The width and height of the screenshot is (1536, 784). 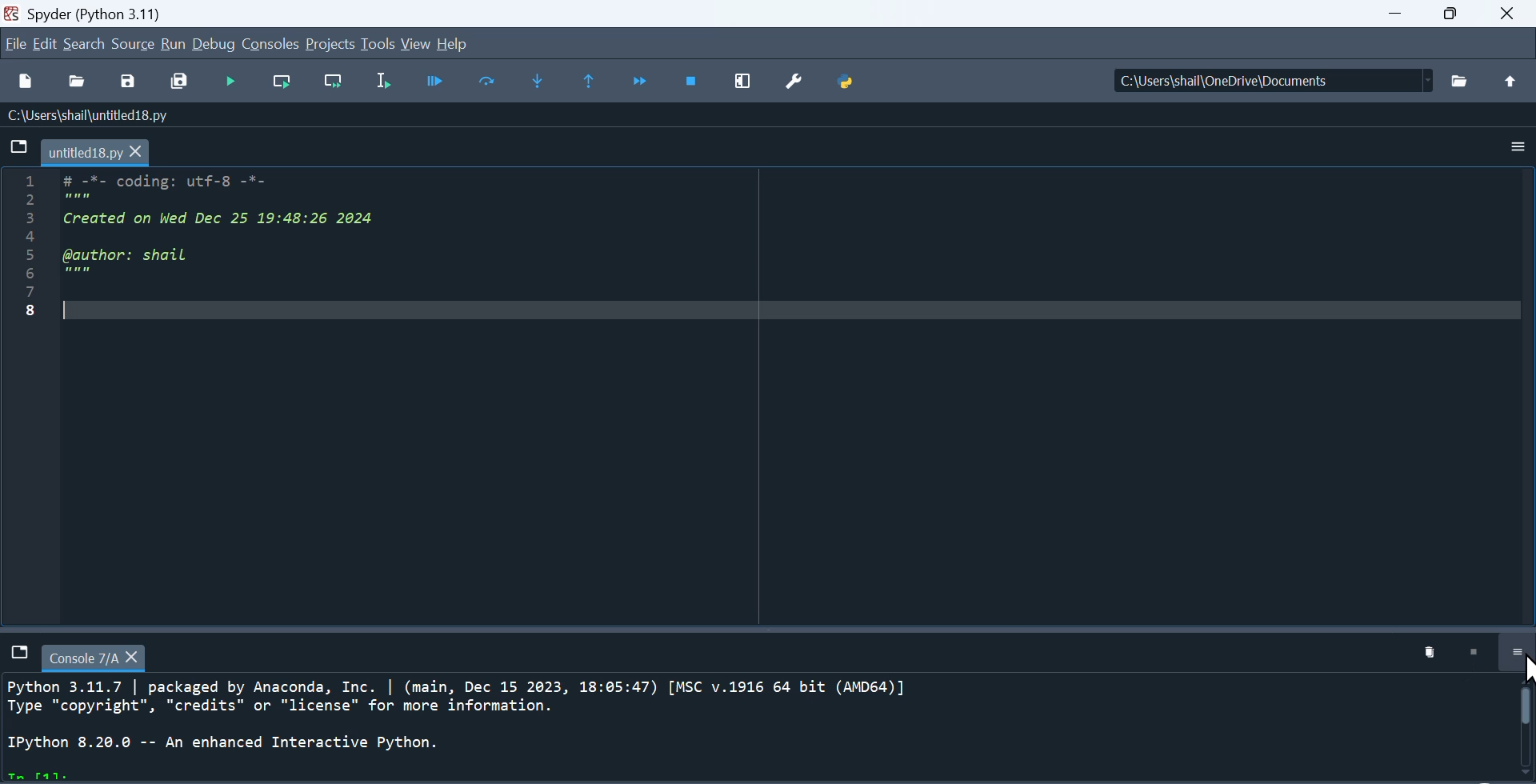 What do you see at coordinates (376, 44) in the screenshot?
I see `tools` at bounding box center [376, 44].